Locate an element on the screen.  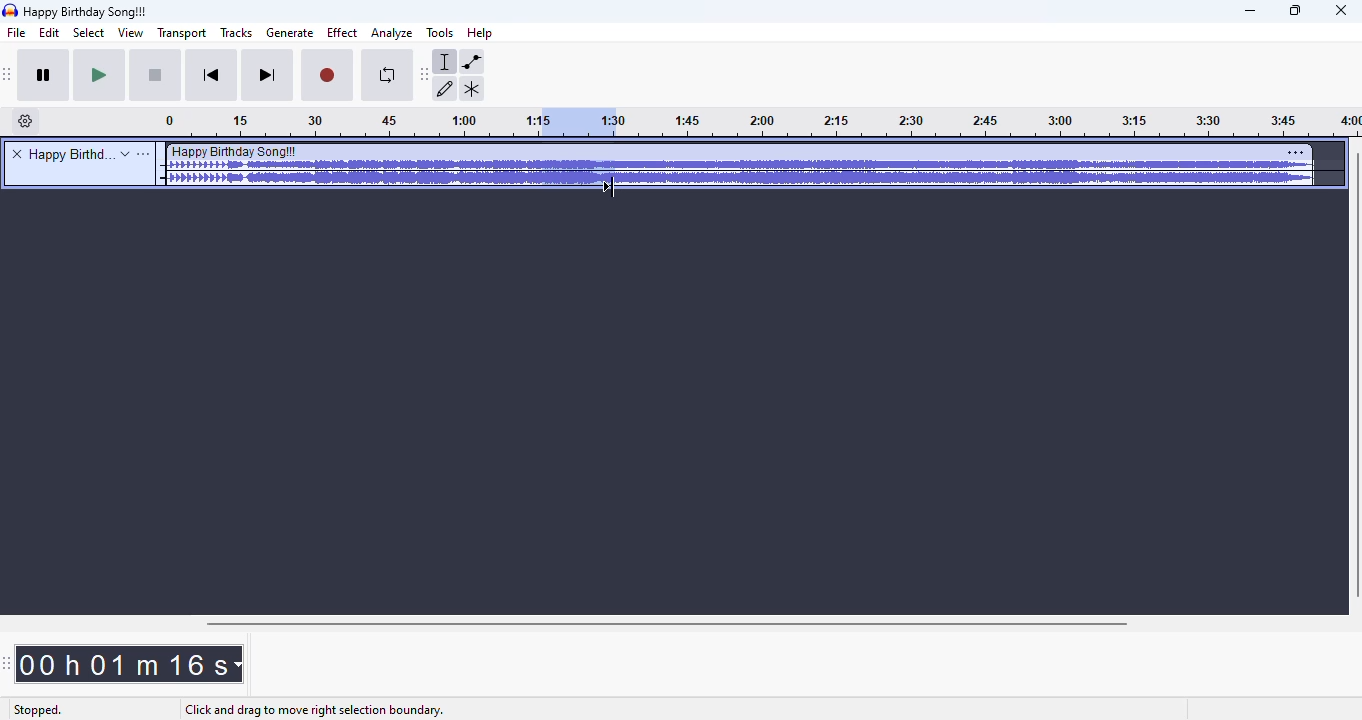
00 h 01 m 16 s is located at coordinates (130, 664).